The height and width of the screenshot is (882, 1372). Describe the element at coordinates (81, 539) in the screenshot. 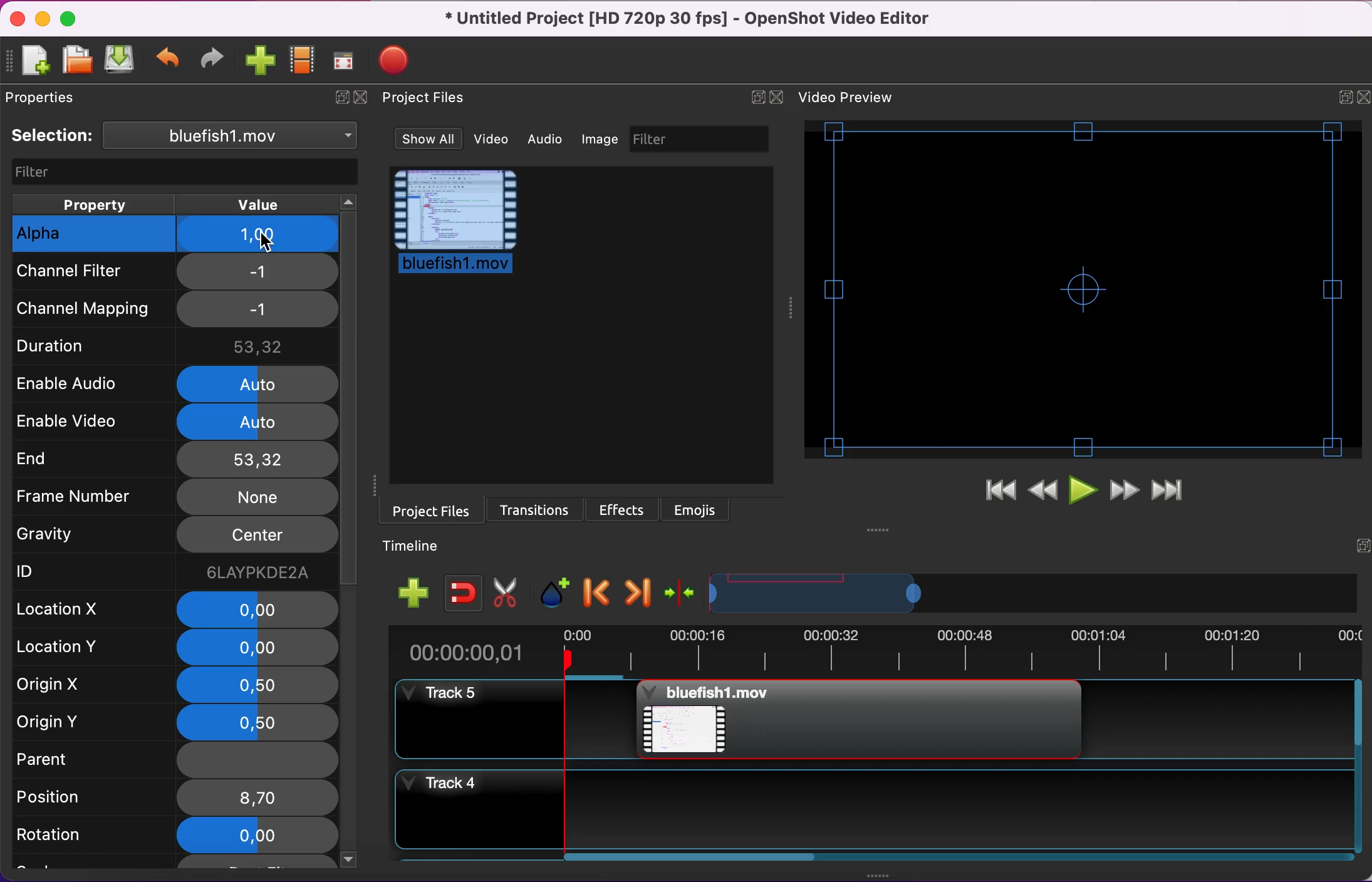

I see `gravity` at that location.